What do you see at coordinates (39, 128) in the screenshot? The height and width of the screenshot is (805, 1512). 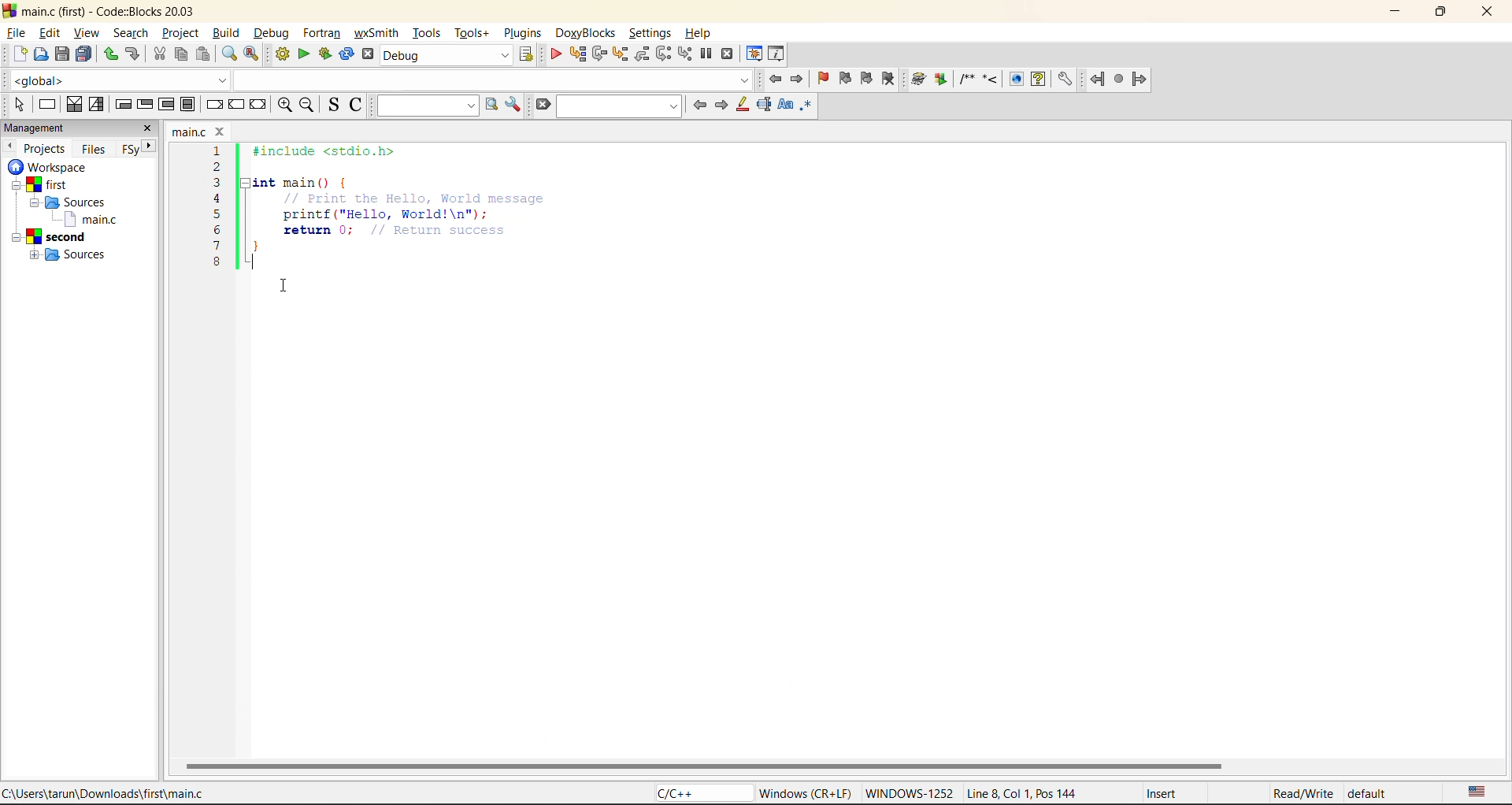 I see `management` at bounding box center [39, 128].